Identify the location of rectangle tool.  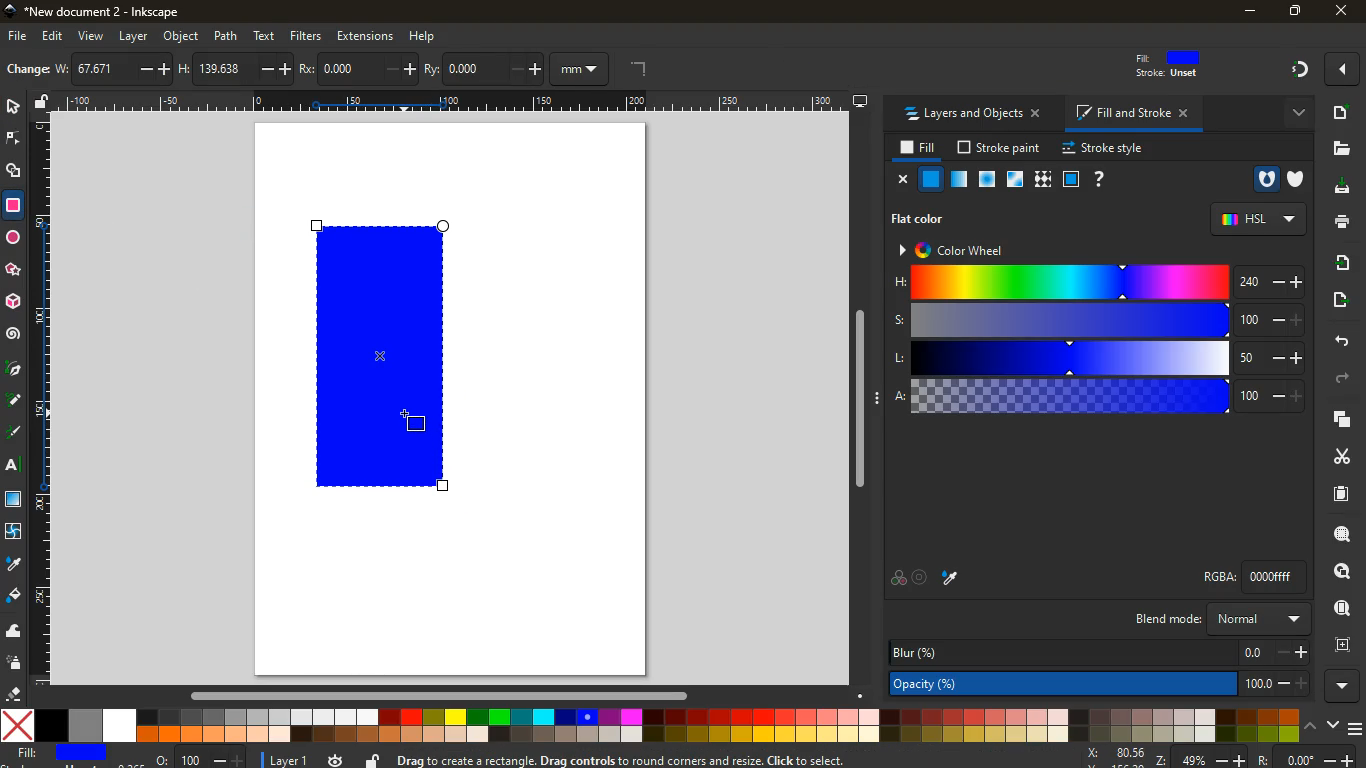
(15, 208).